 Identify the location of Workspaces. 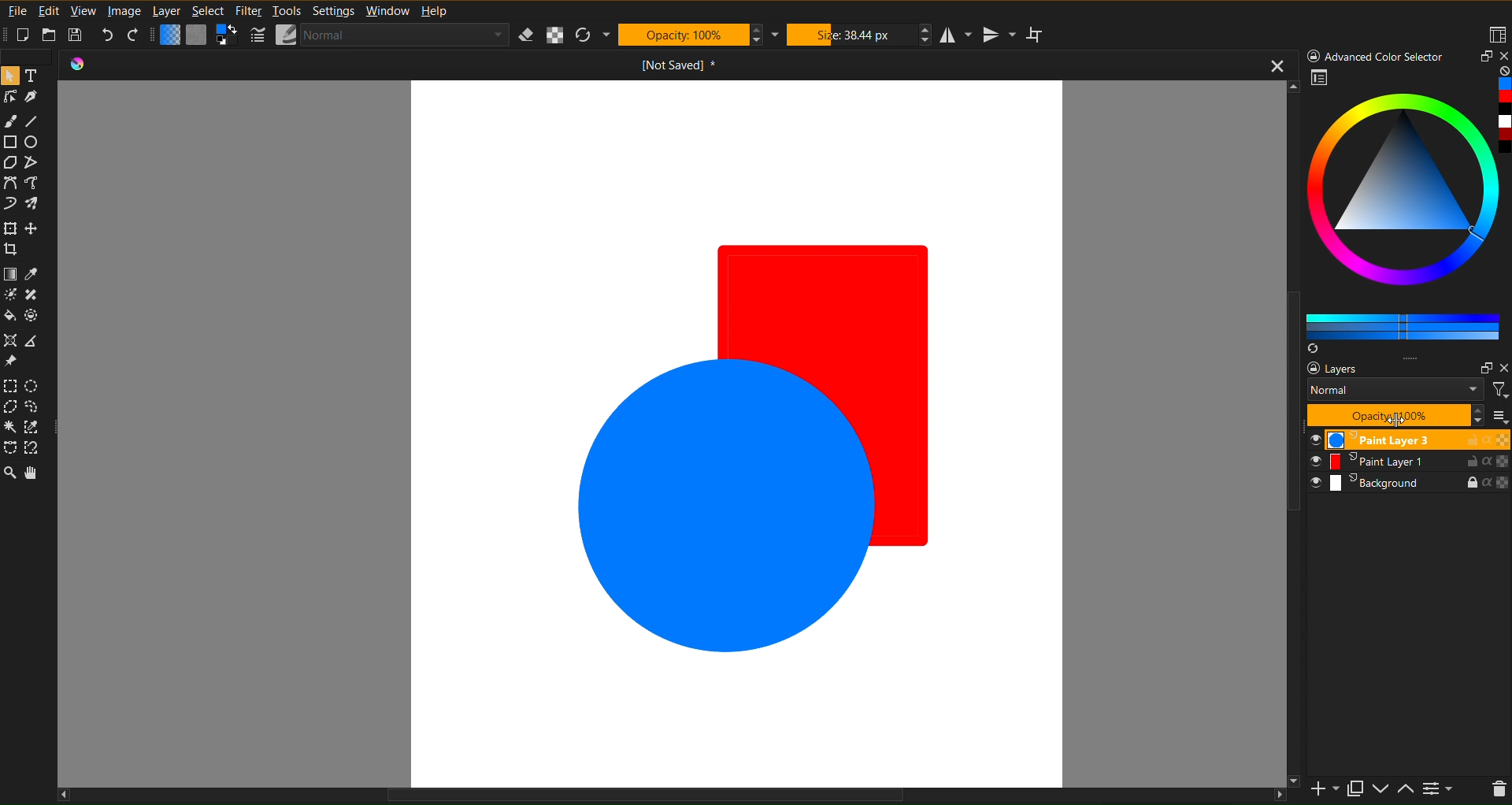
(1498, 32).